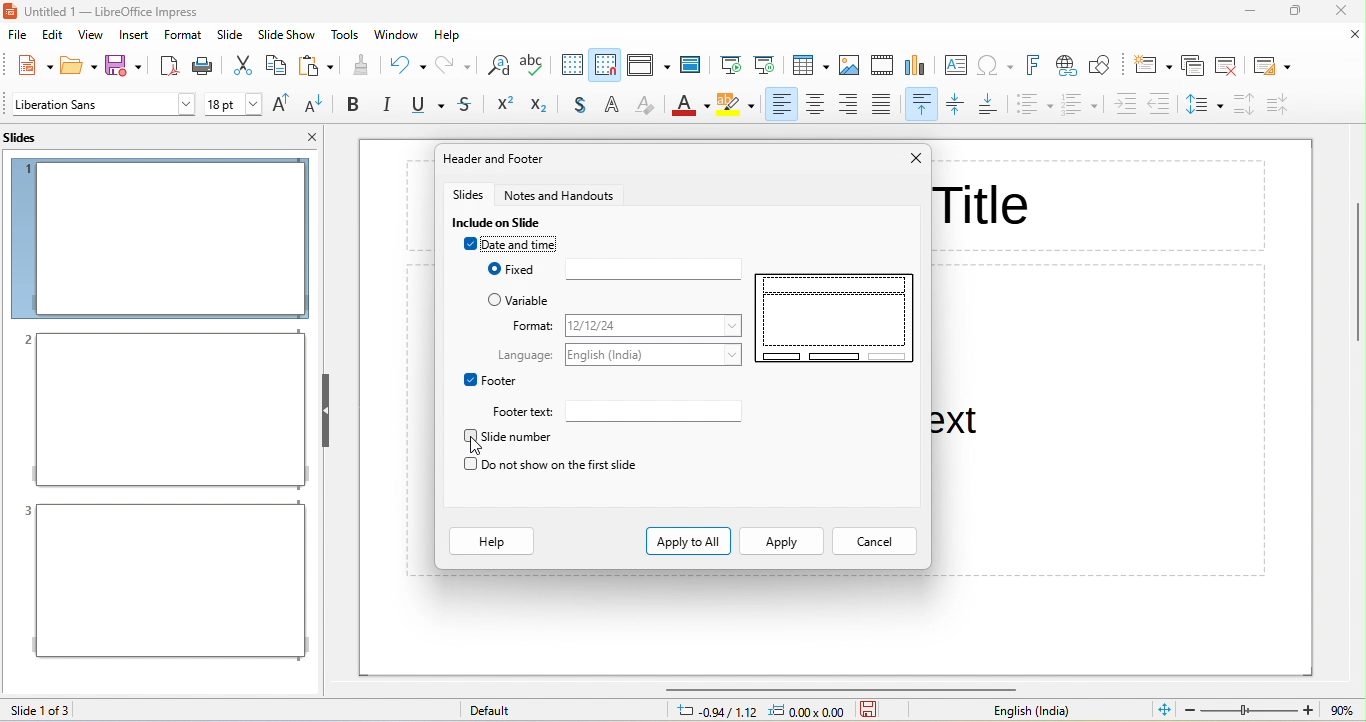 The image size is (1366, 722). I want to click on undo, so click(407, 64).